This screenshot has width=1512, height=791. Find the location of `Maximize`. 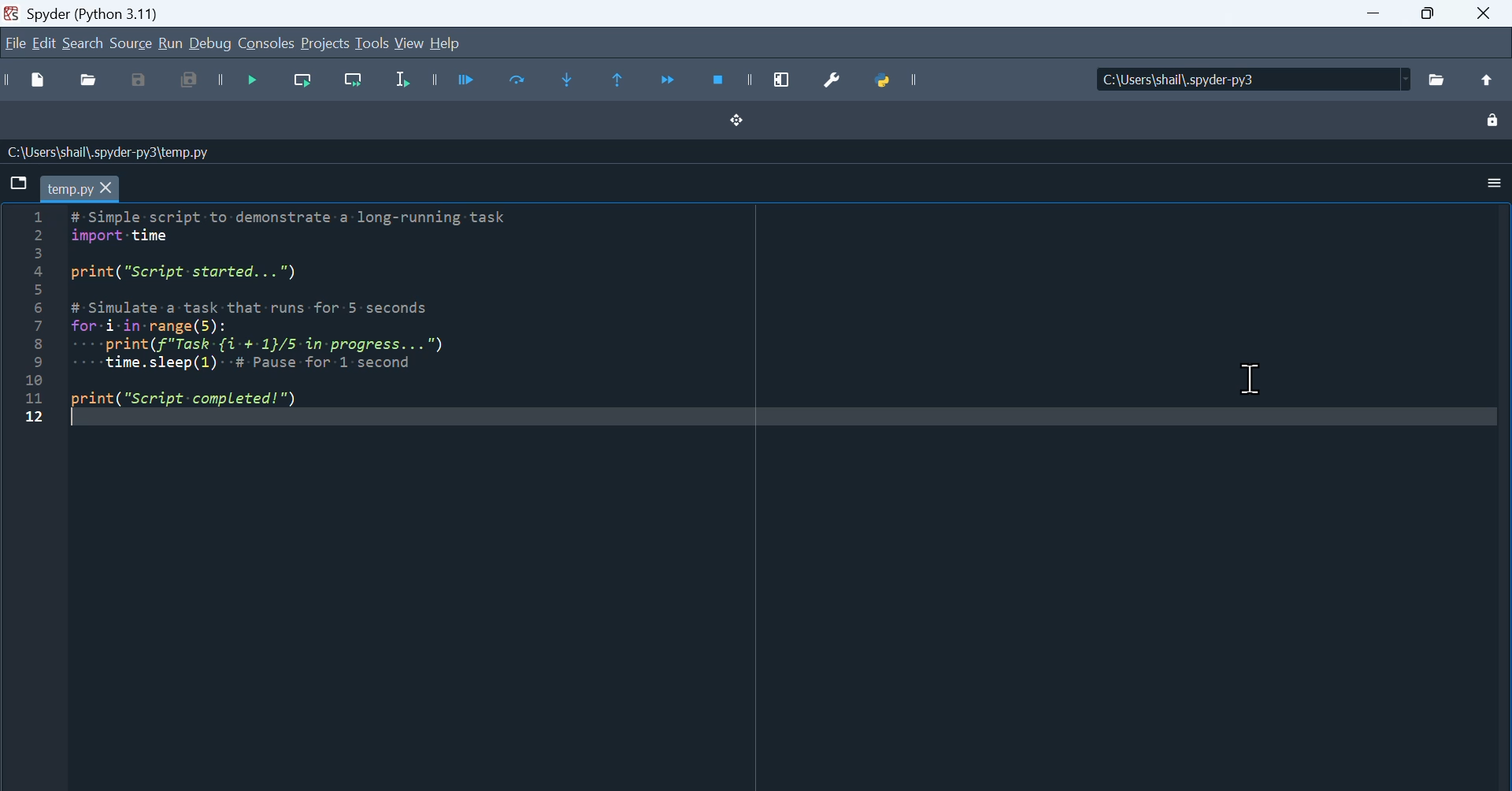

Maximize is located at coordinates (1429, 15).